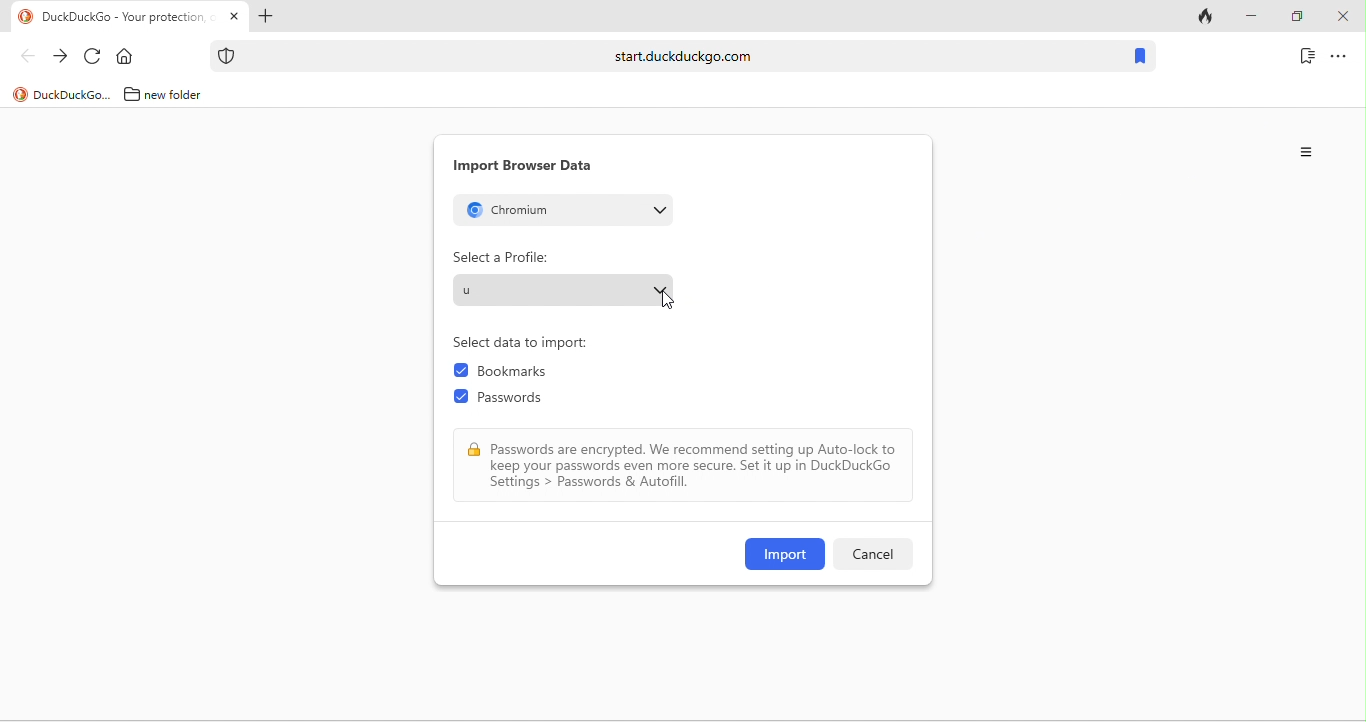 This screenshot has height=722, width=1366. What do you see at coordinates (1342, 17) in the screenshot?
I see `close` at bounding box center [1342, 17].